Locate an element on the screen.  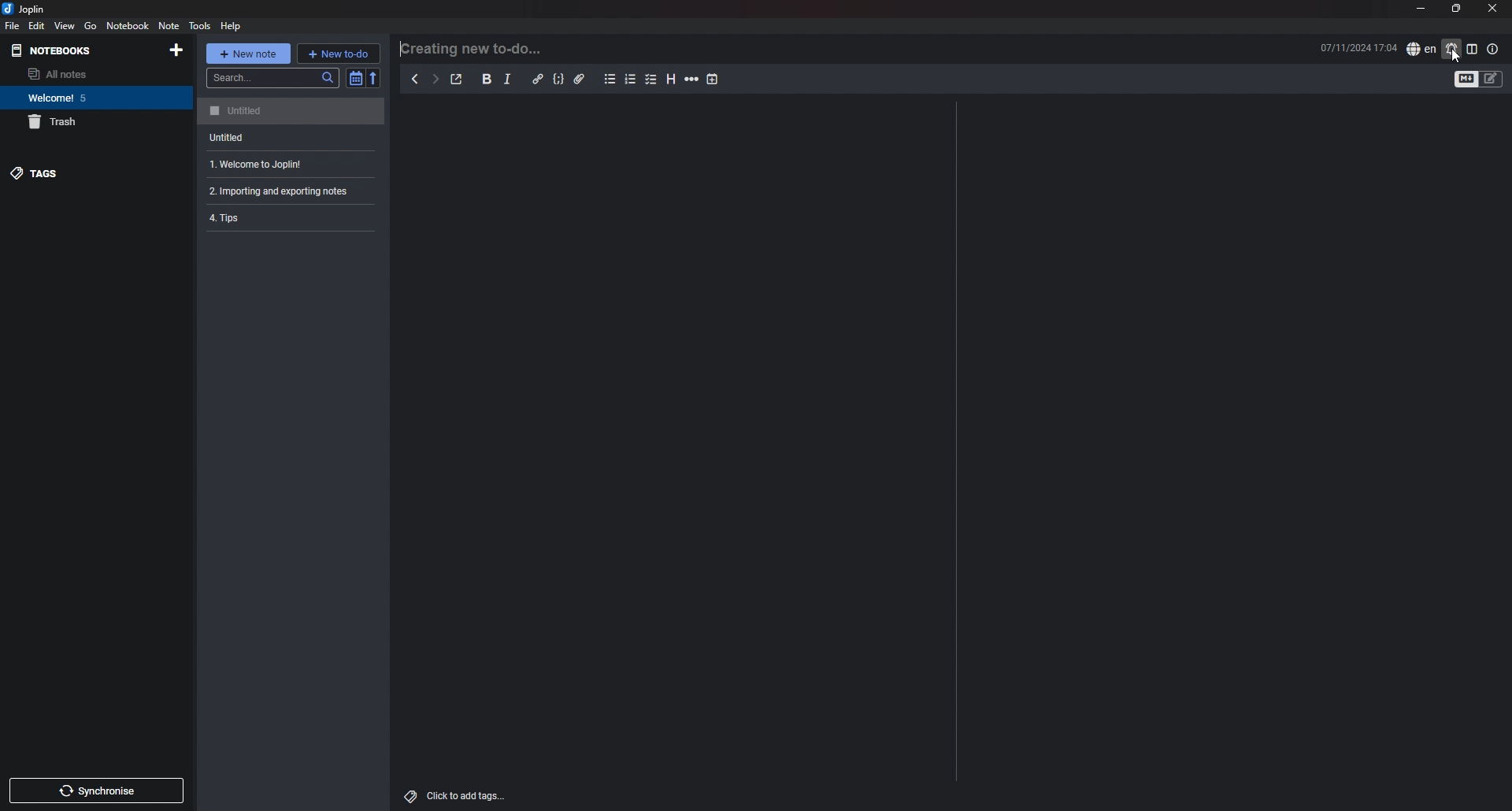
note properties is located at coordinates (1494, 50).